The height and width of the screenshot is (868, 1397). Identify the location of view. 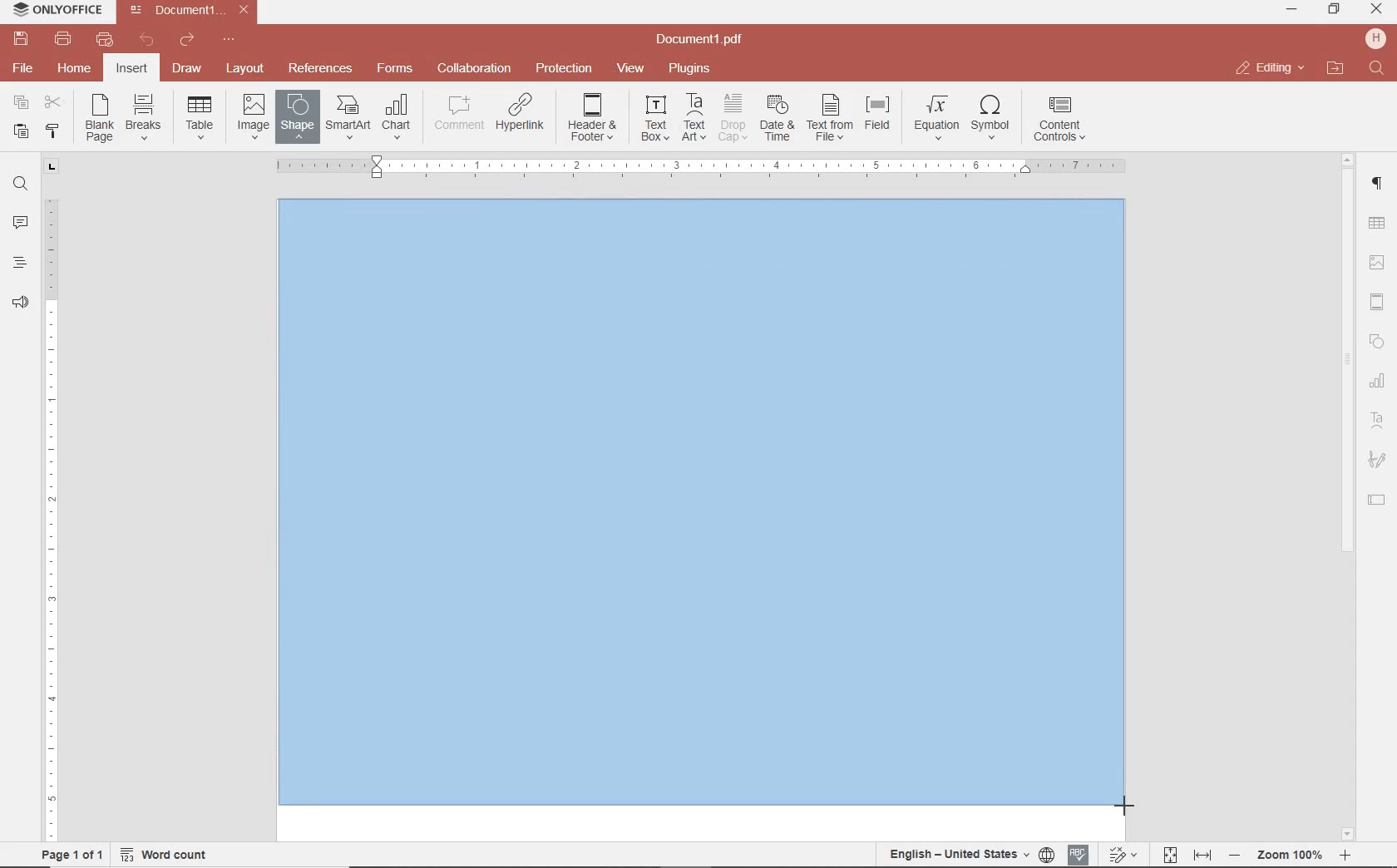
(630, 69).